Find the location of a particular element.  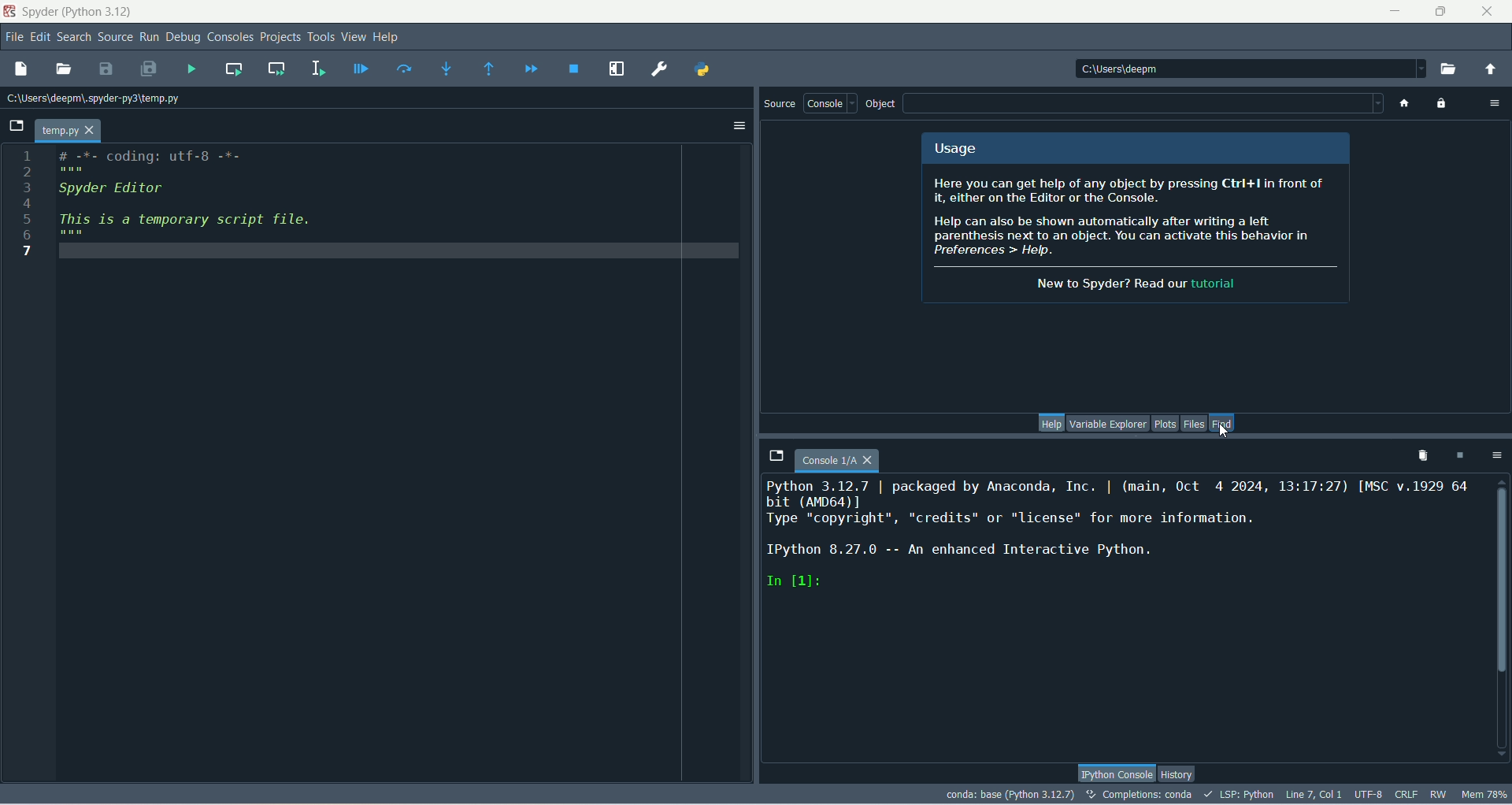

run current line is located at coordinates (405, 67).